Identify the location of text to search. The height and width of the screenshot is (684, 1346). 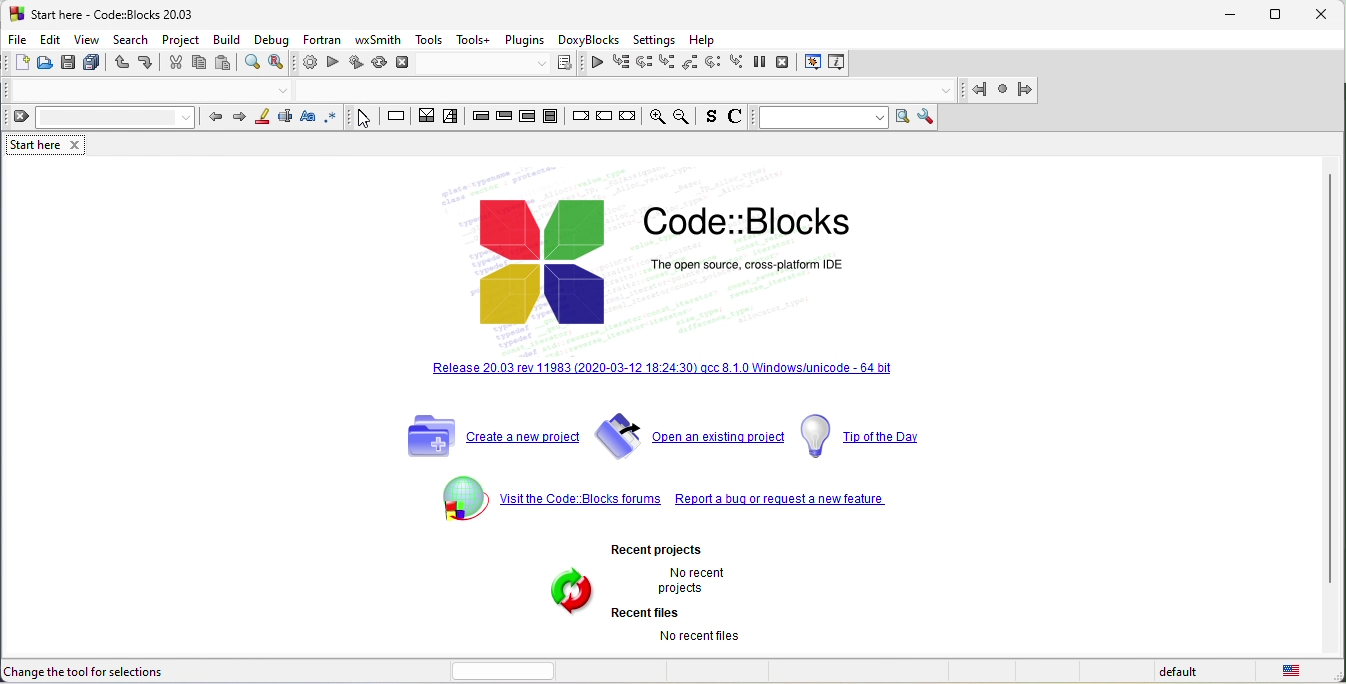
(827, 118).